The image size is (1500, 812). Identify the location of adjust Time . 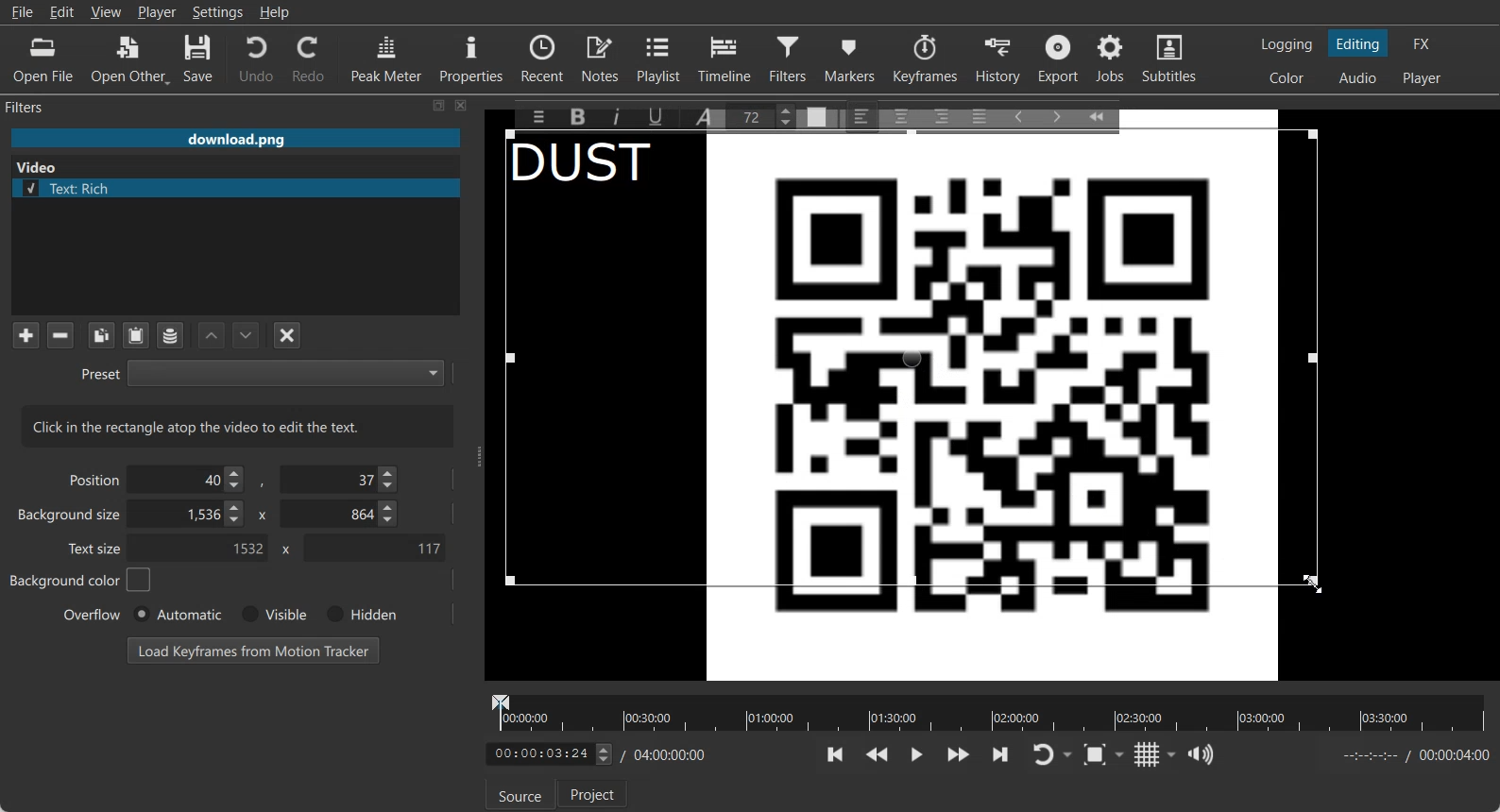
(548, 755).